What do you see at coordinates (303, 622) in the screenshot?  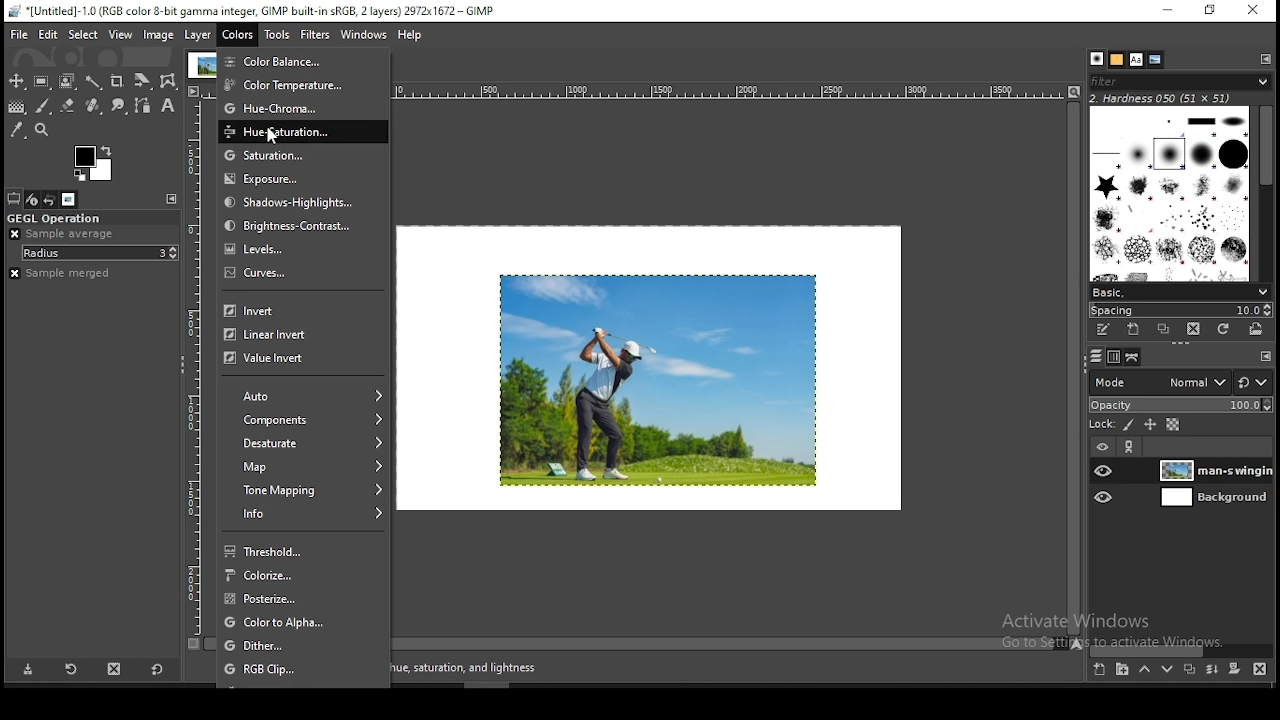 I see `color to alpha` at bounding box center [303, 622].